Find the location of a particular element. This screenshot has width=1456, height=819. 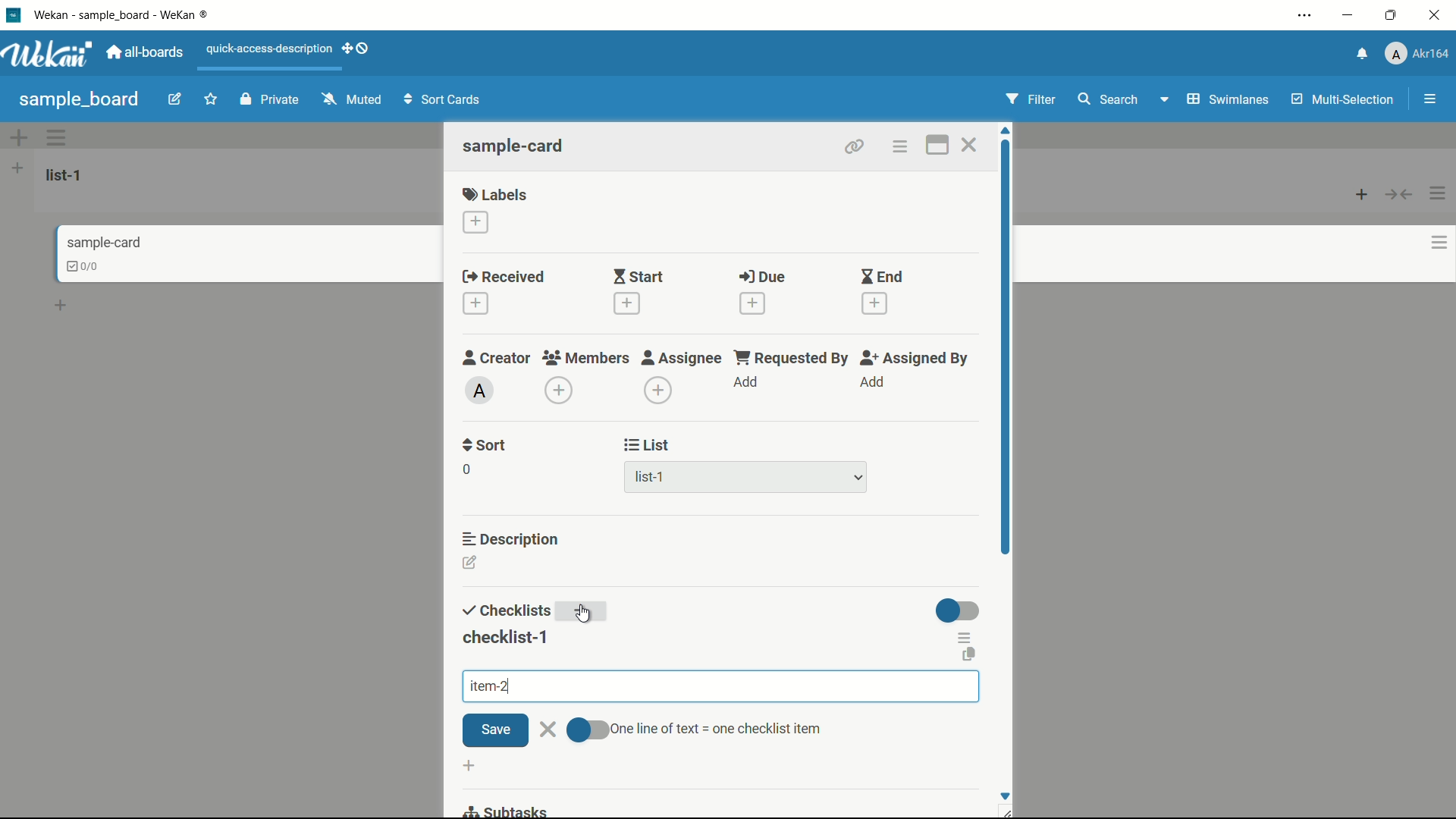

checklist-1 is located at coordinates (504, 638).